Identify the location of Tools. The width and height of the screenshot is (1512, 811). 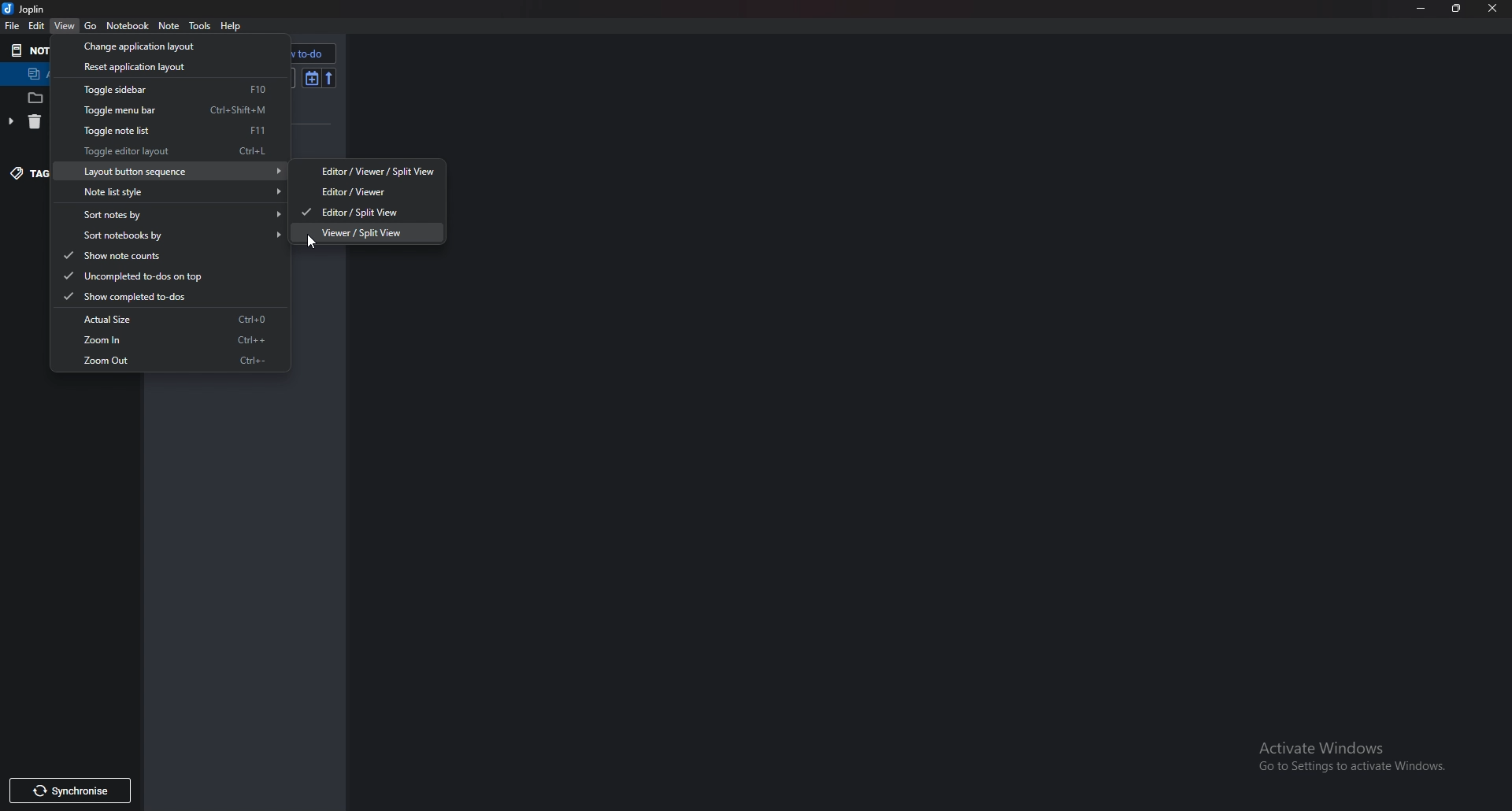
(201, 26).